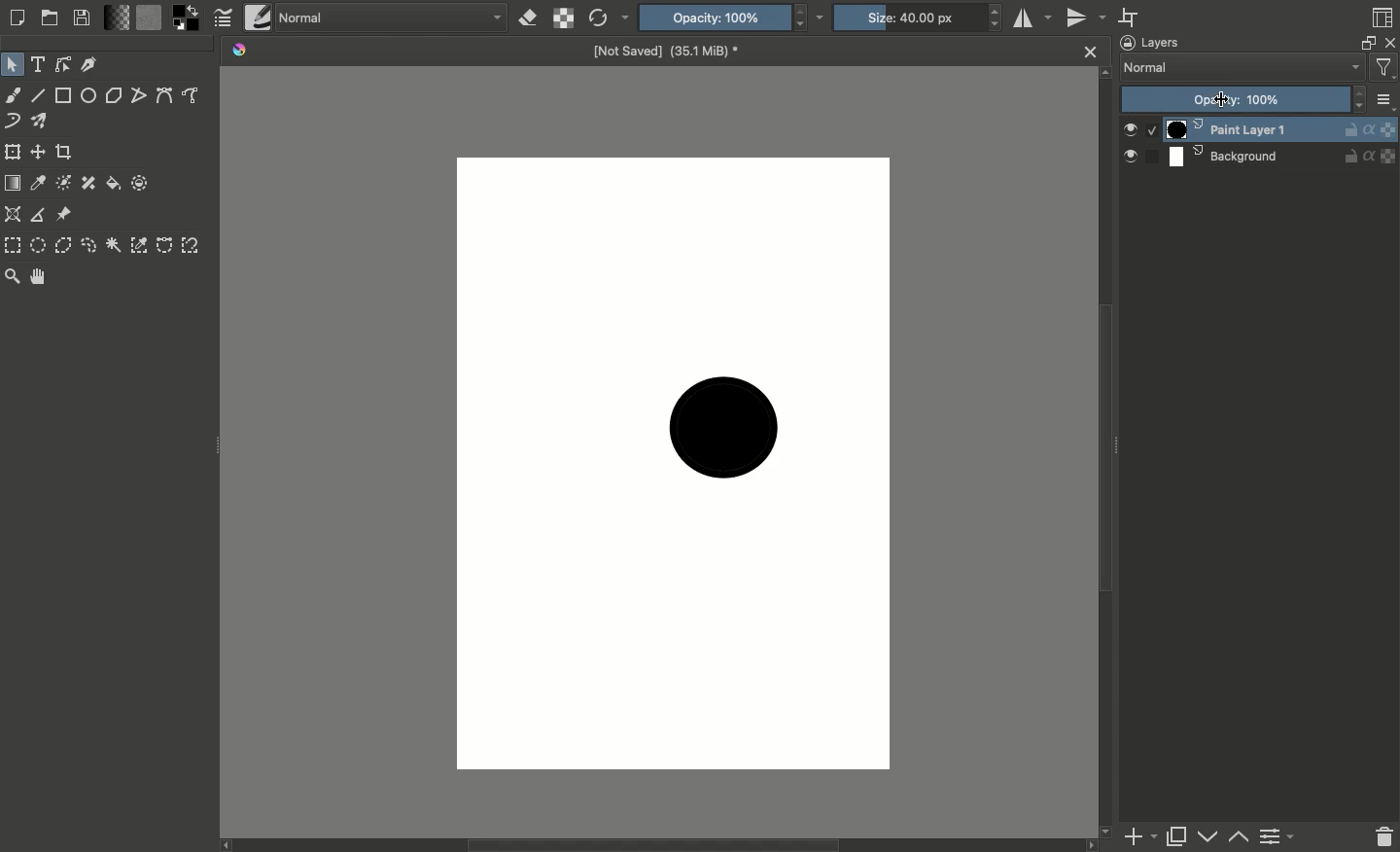 Image resolution: width=1400 pixels, height=852 pixels. What do you see at coordinates (50, 18) in the screenshot?
I see `Open` at bounding box center [50, 18].